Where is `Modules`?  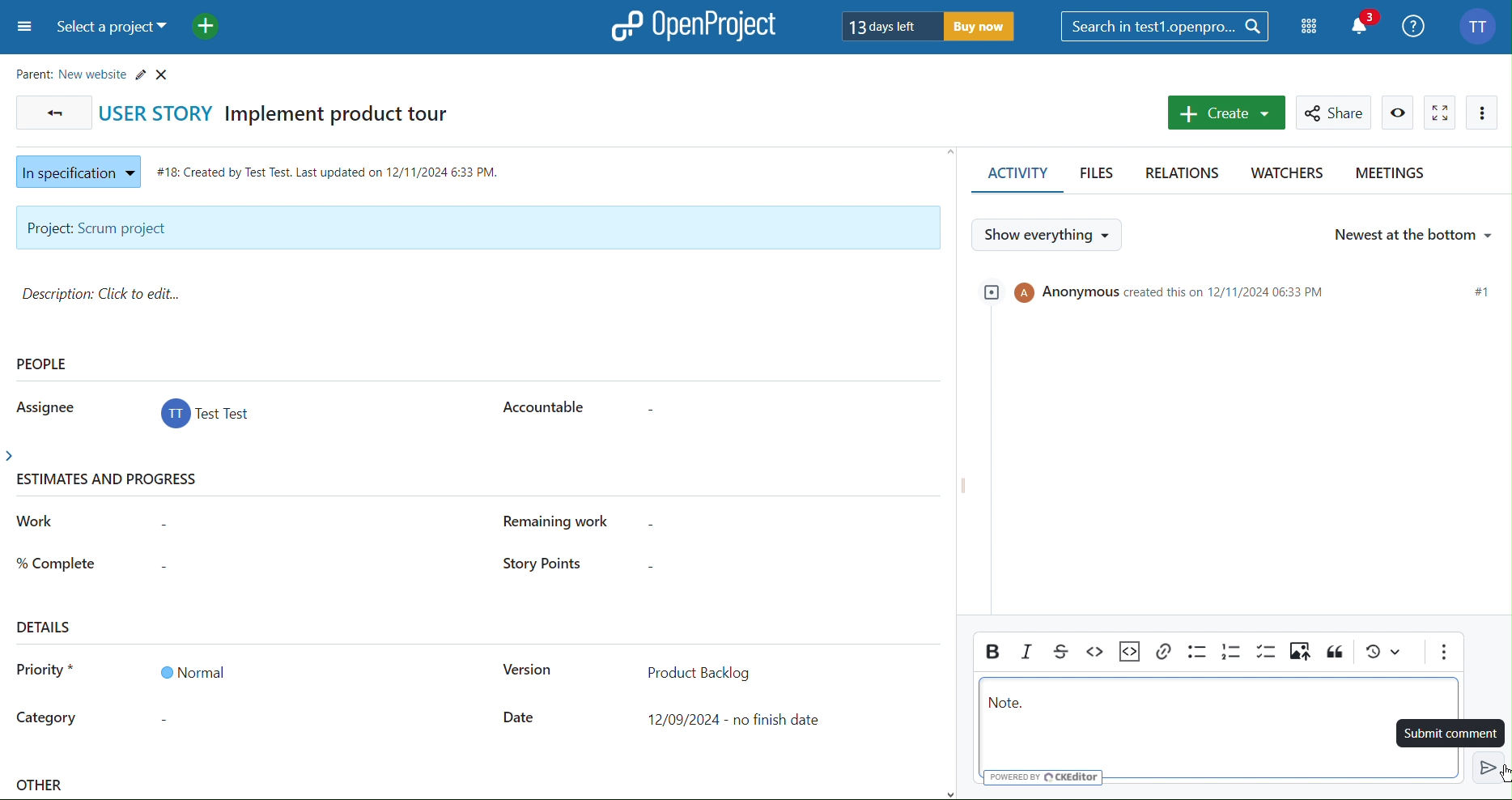
Modules is located at coordinates (1310, 27).